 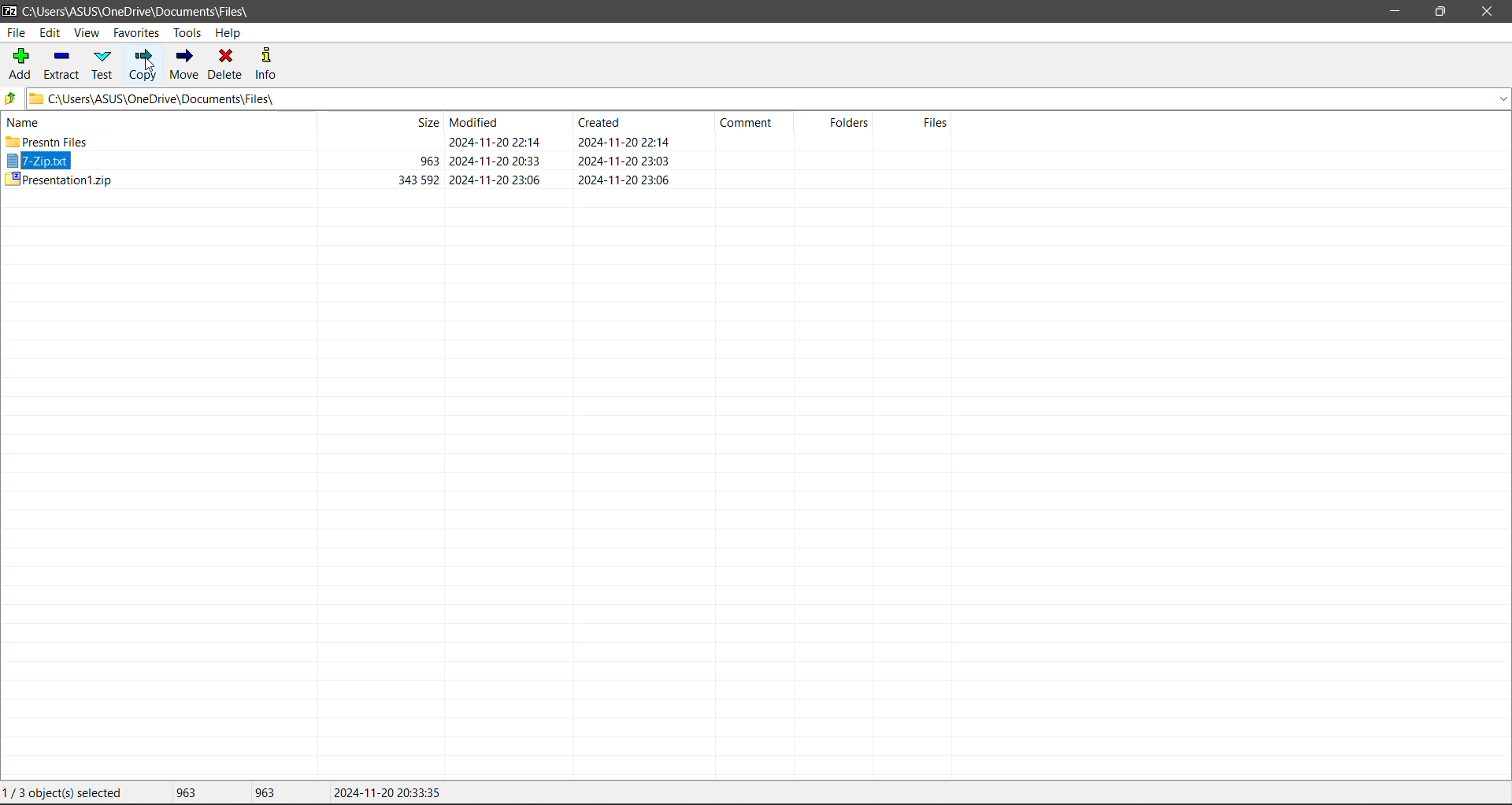 What do you see at coordinates (767, 98) in the screenshot?
I see `Current Folder Path` at bounding box center [767, 98].